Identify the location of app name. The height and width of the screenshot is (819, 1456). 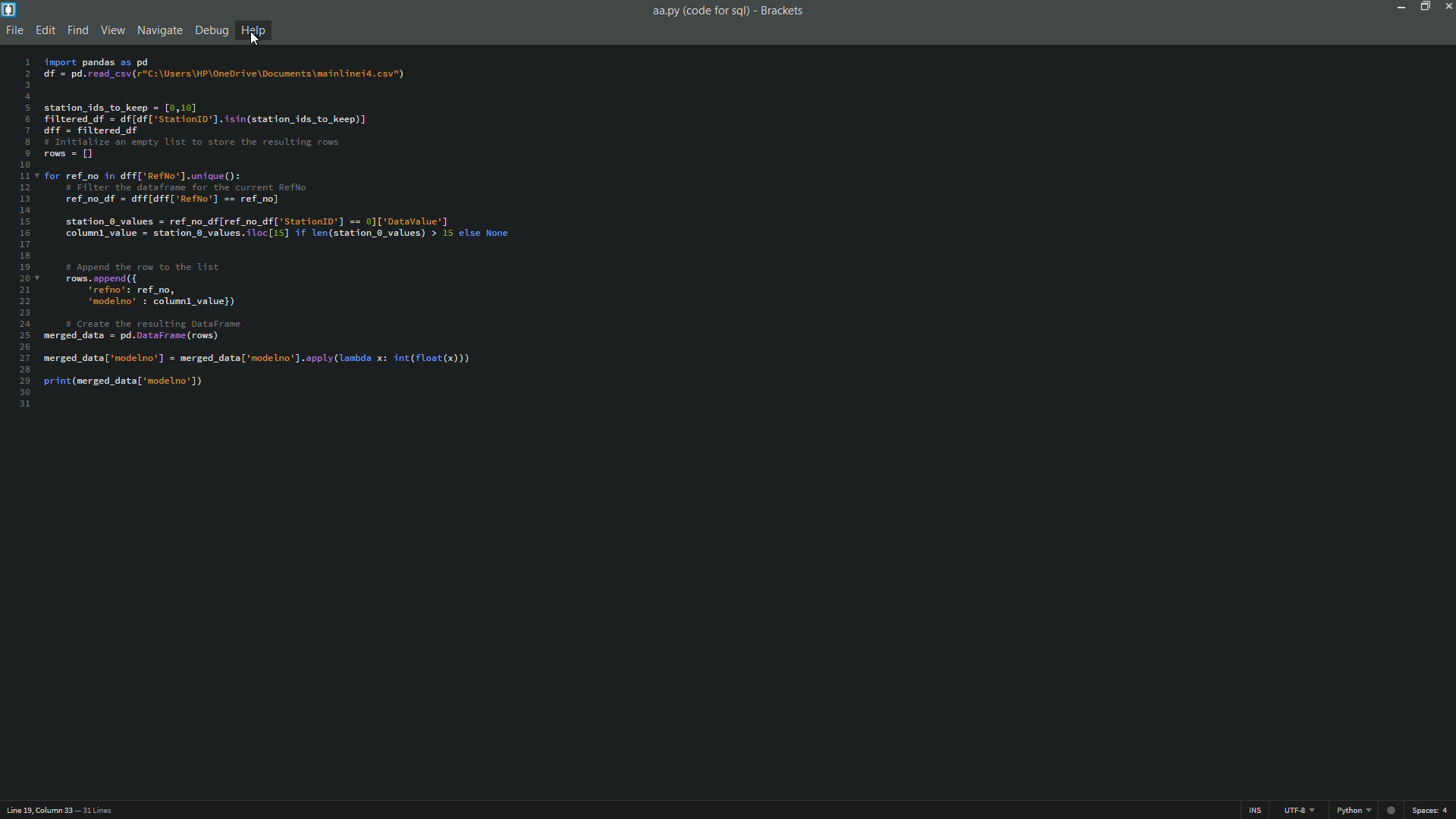
(783, 11).